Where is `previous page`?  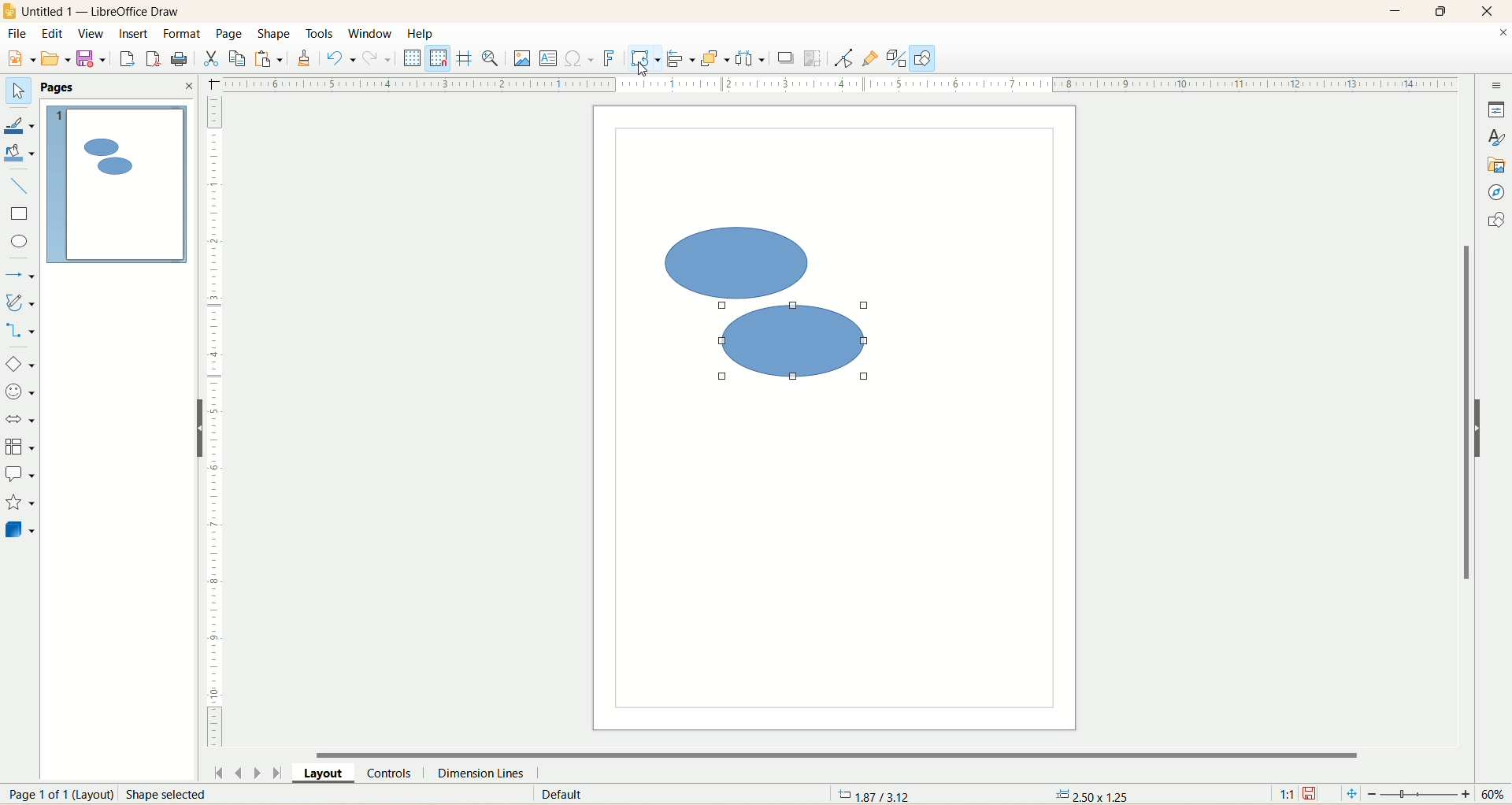 previous page is located at coordinates (239, 772).